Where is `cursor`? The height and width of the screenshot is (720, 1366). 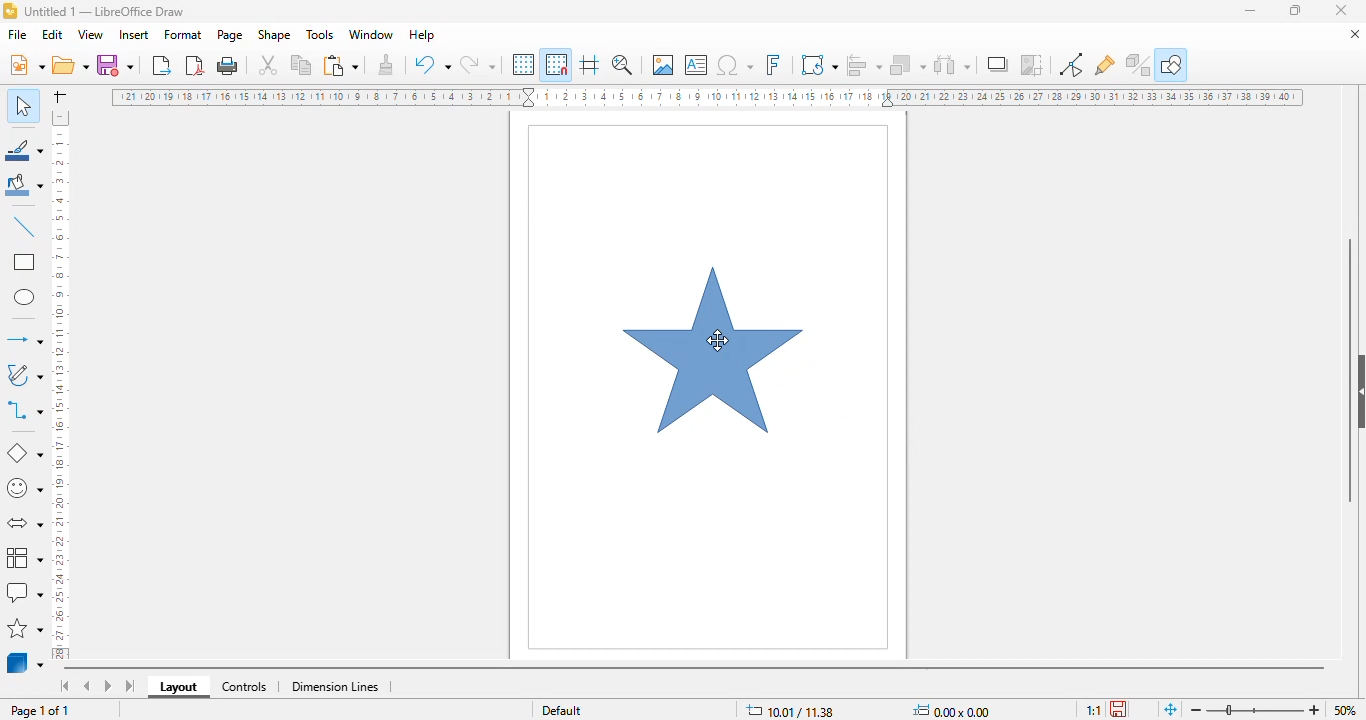 cursor is located at coordinates (718, 339).